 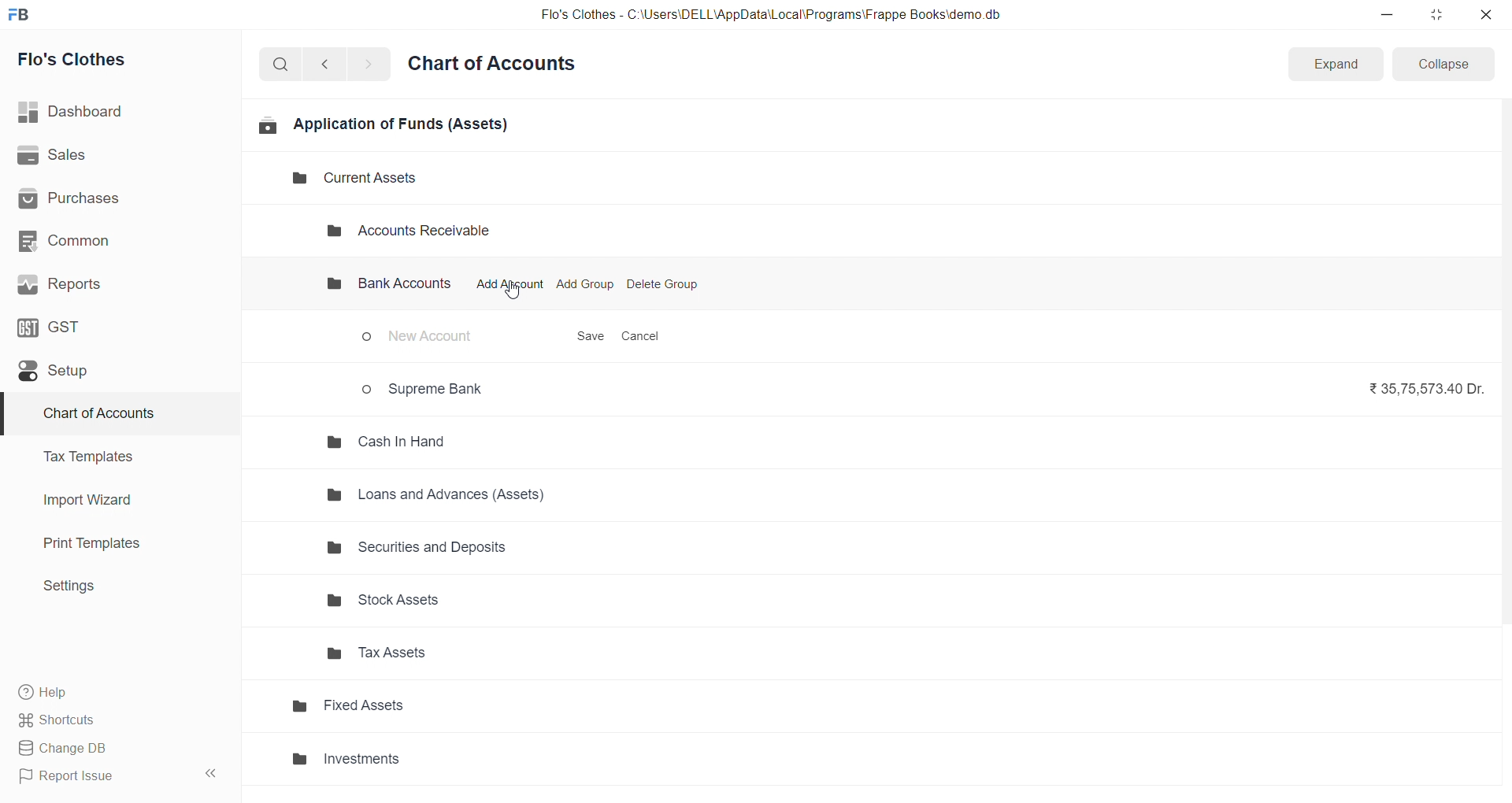 I want to click on search, so click(x=283, y=63).